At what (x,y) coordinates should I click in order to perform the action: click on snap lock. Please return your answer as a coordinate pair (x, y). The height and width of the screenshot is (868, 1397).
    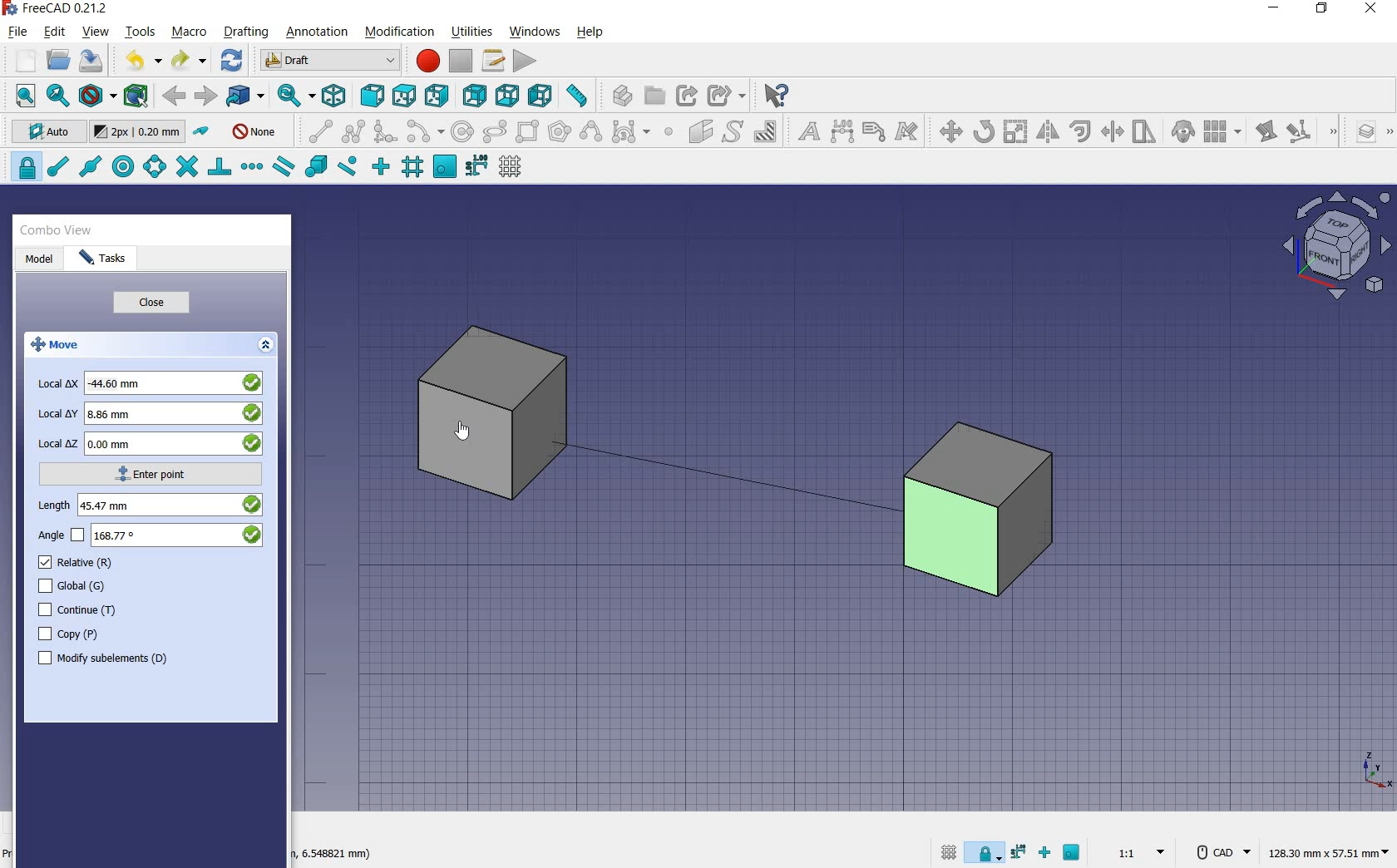
    Looking at the image, I should click on (22, 167).